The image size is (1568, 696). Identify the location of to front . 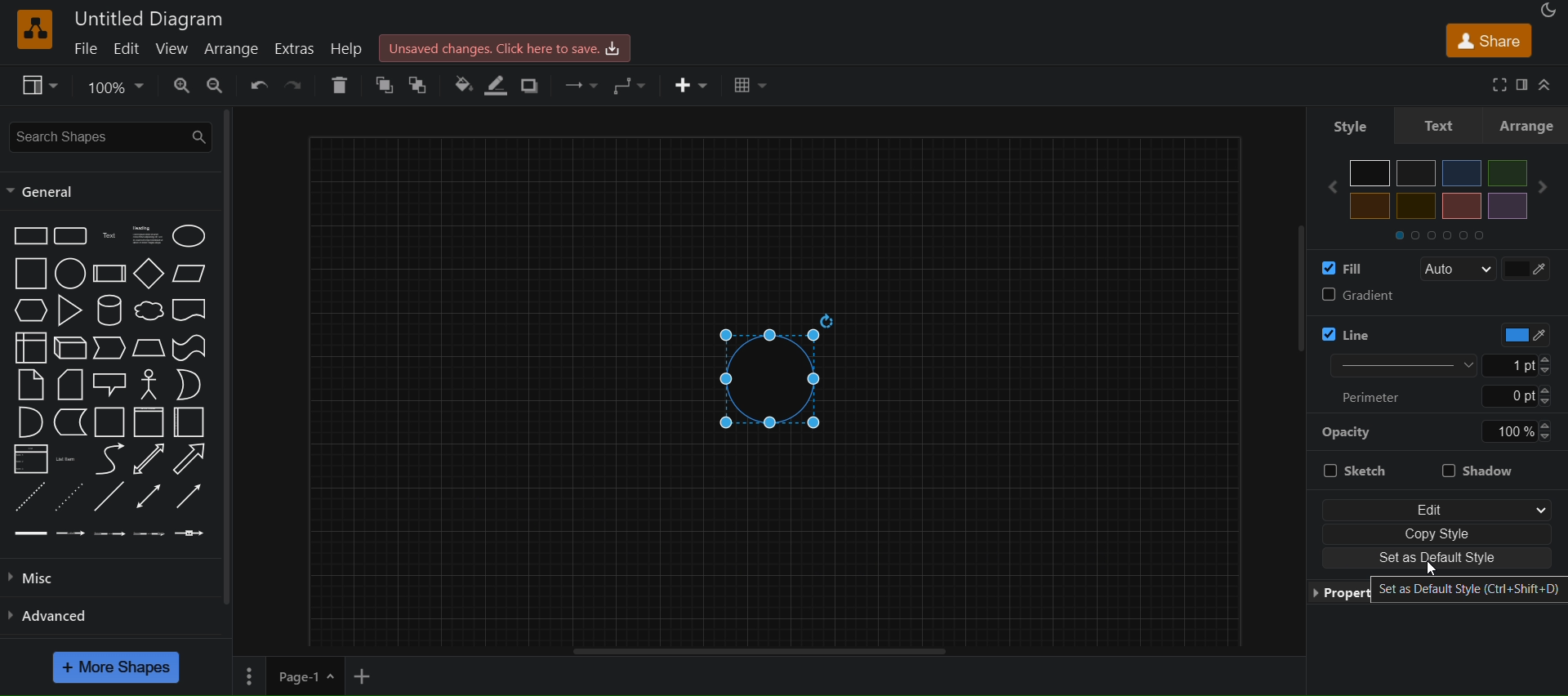
(423, 84).